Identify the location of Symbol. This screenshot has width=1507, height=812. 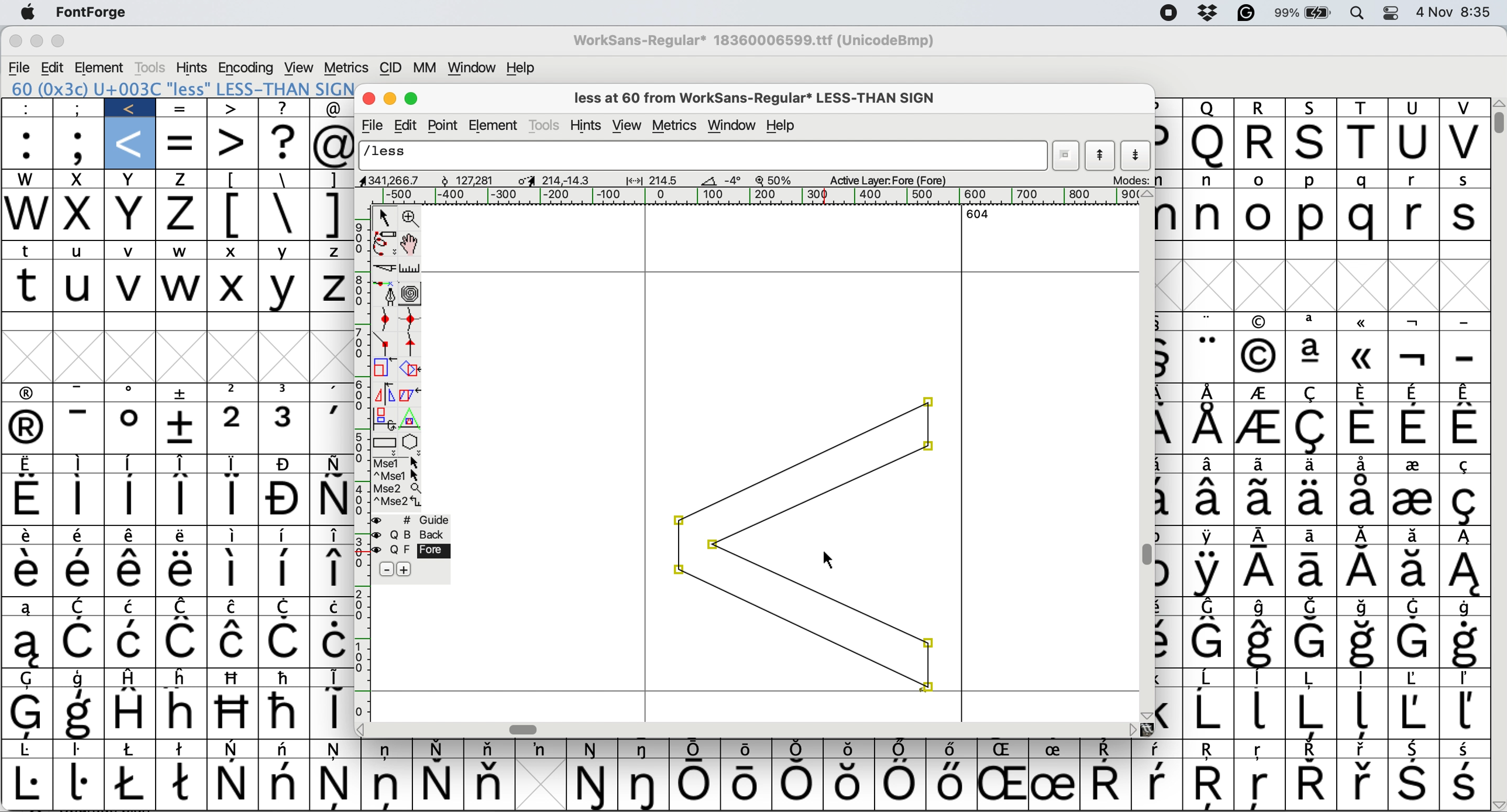
(1002, 785).